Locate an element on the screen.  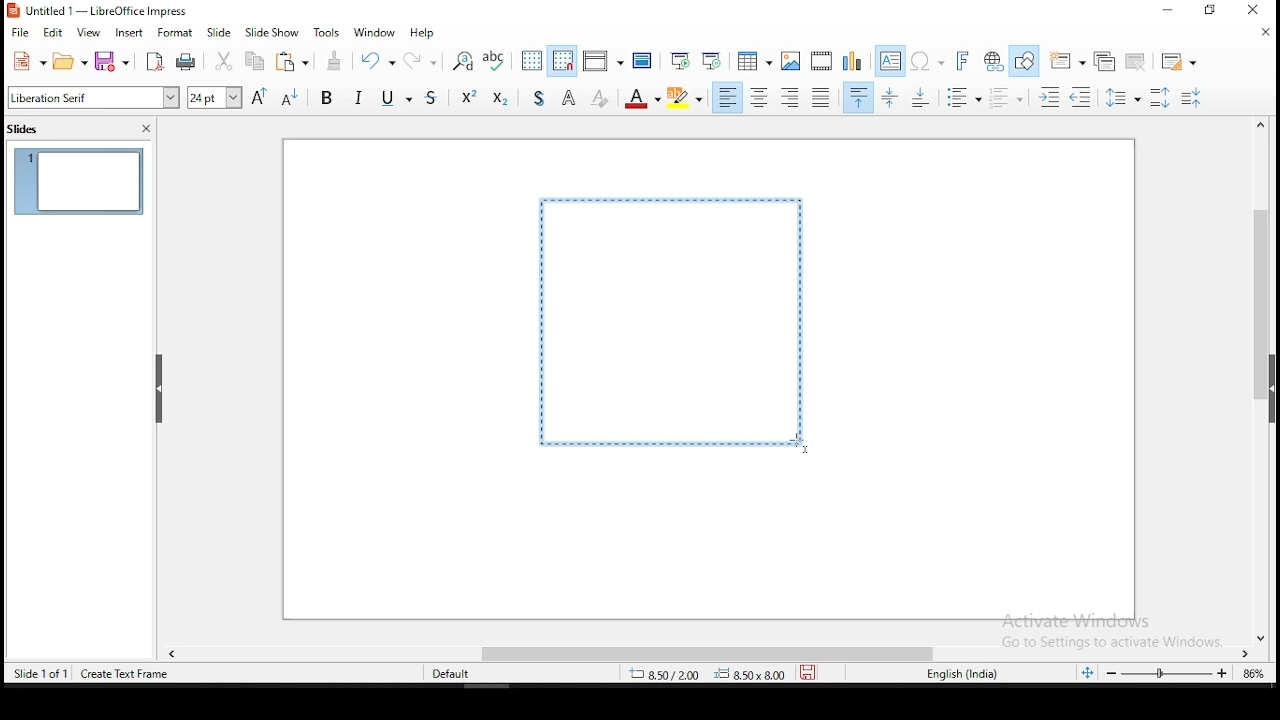
insert hyperlink is located at coordinates (992, 60).